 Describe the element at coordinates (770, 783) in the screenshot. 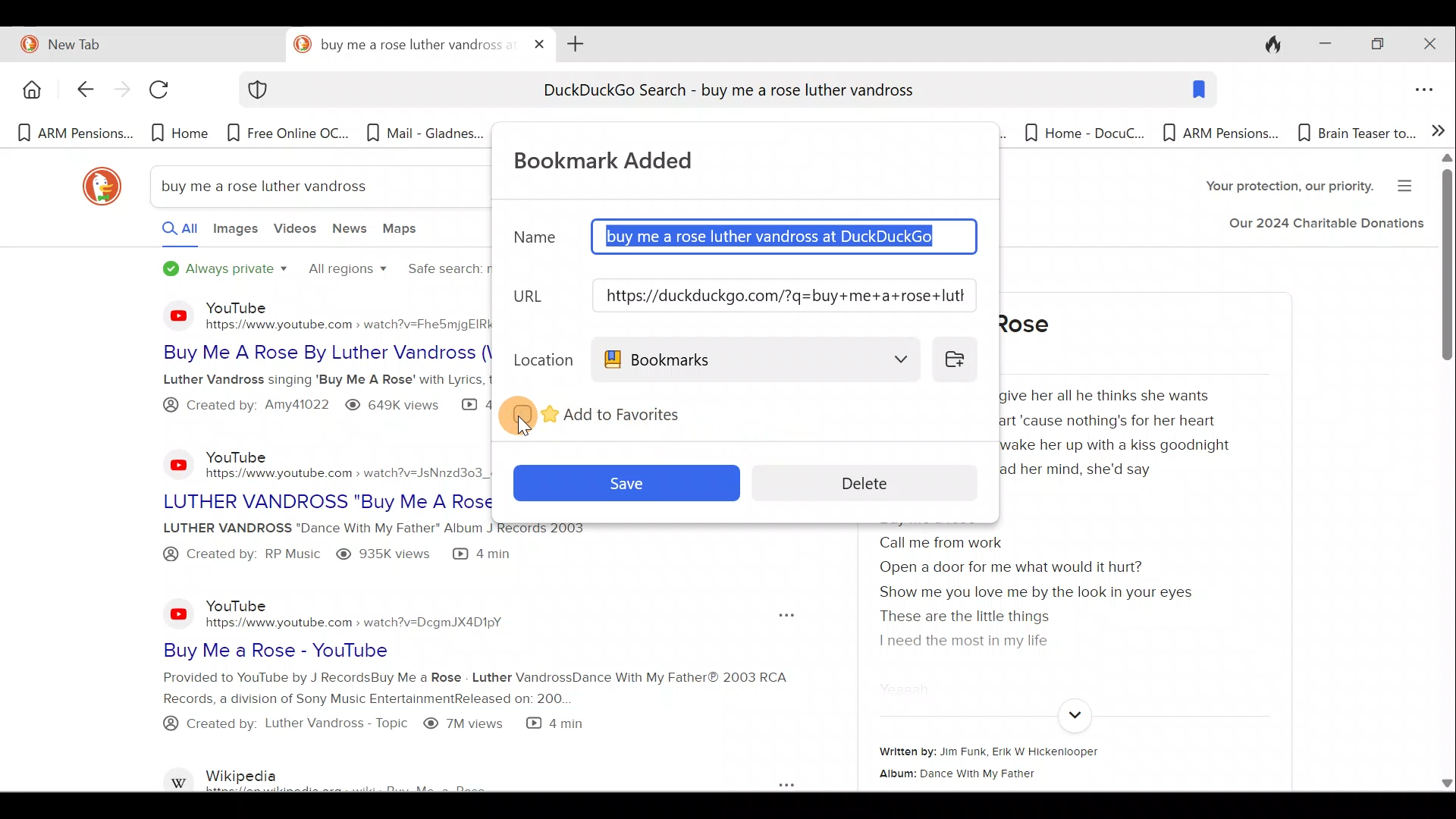

I see `Pop out` at that location.